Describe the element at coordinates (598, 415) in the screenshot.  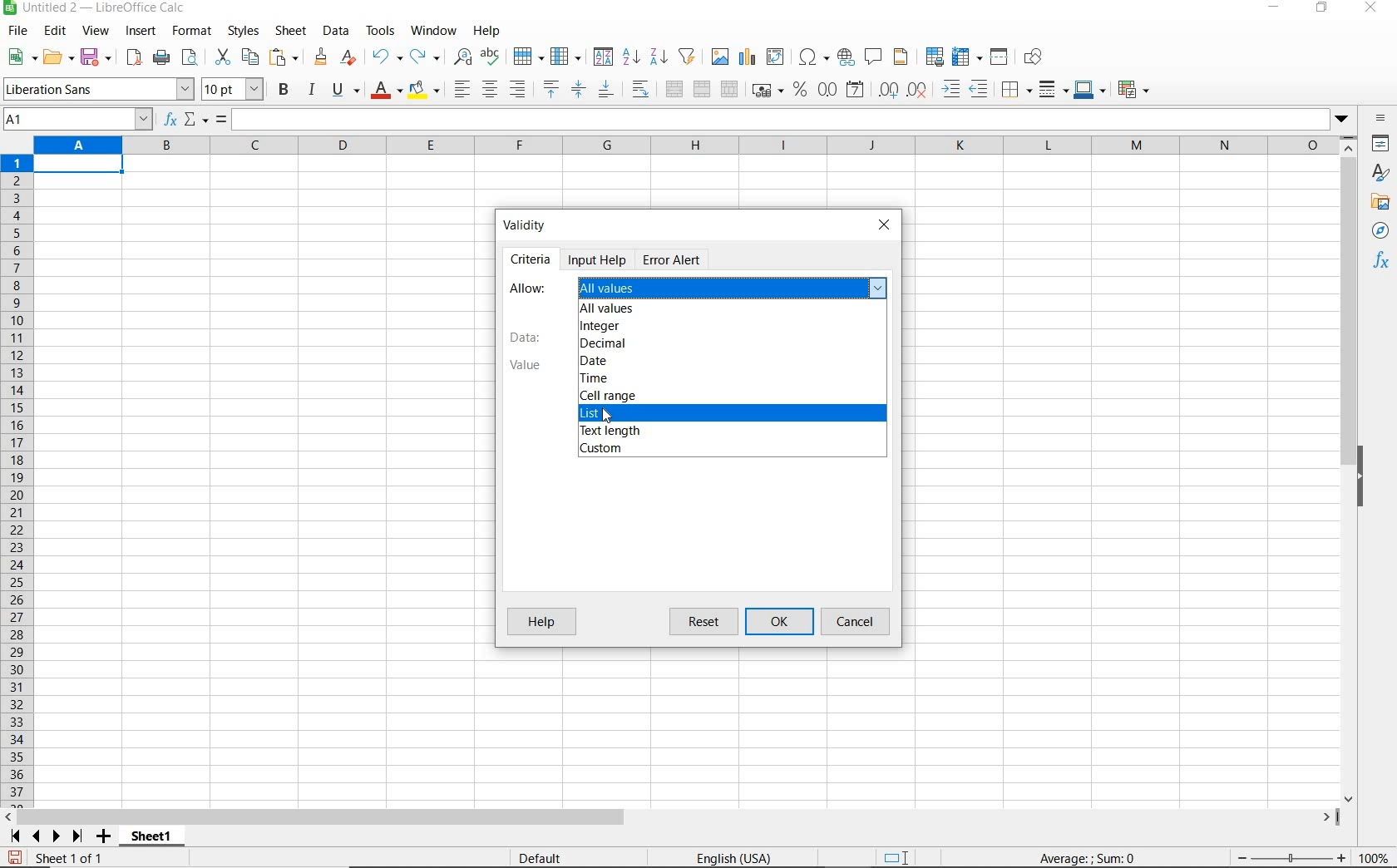
I see `list` at that location.